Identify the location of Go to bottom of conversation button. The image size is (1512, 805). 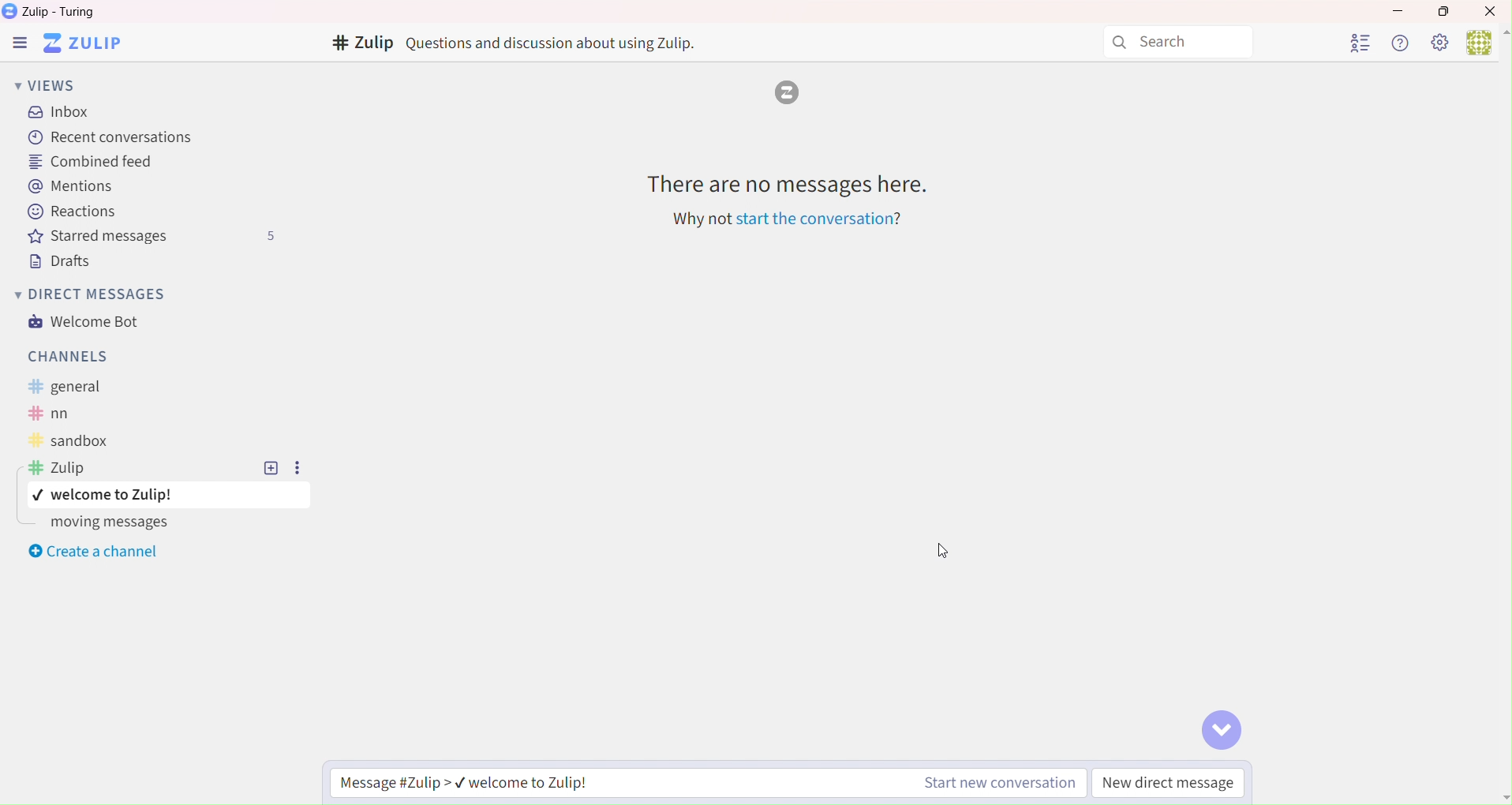
(1221, 730).